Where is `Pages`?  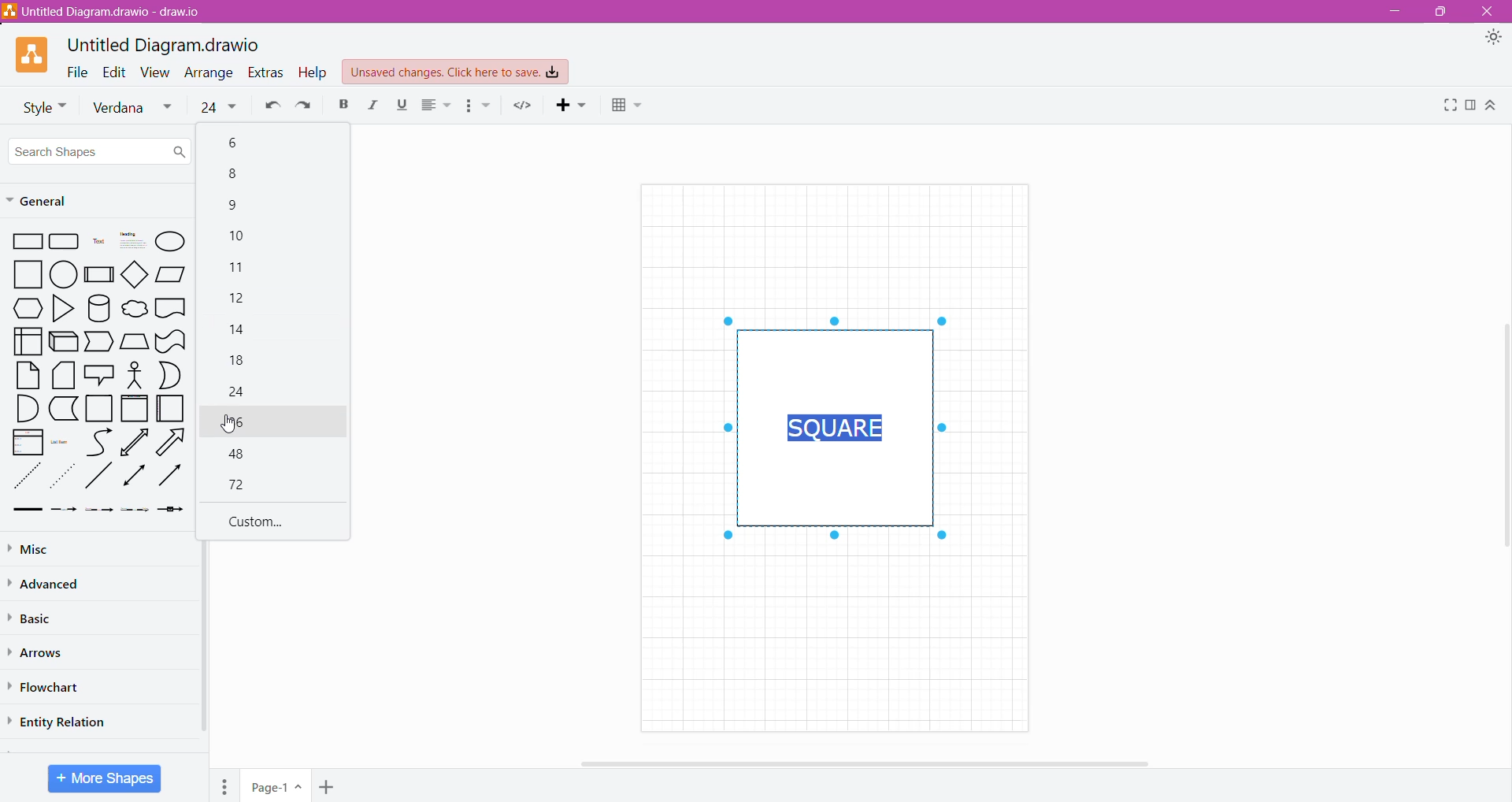 Pages is located at coordinates (225, 785).